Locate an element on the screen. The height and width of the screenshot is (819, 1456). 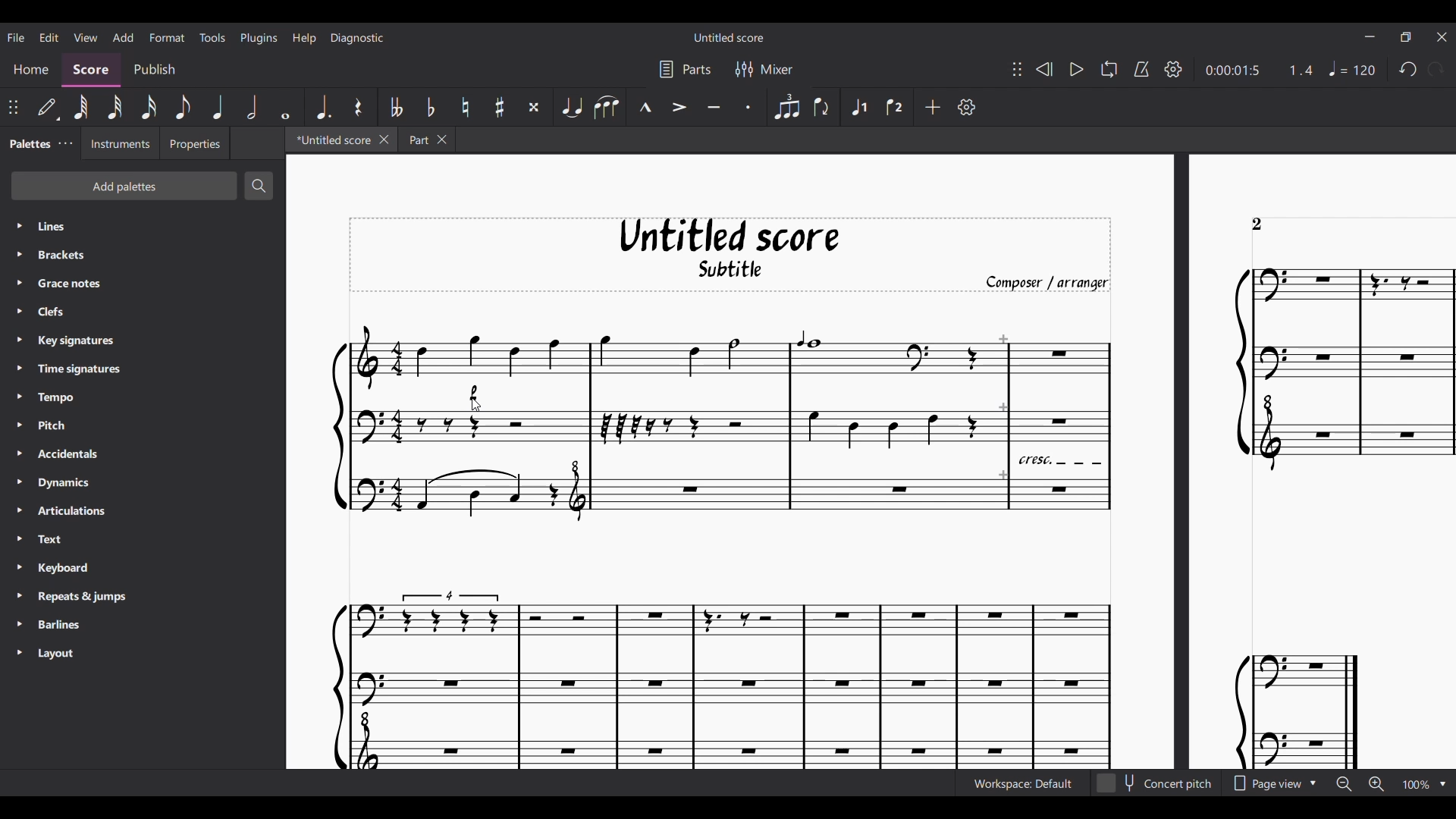
Half note is located at coordinates (252, 107).